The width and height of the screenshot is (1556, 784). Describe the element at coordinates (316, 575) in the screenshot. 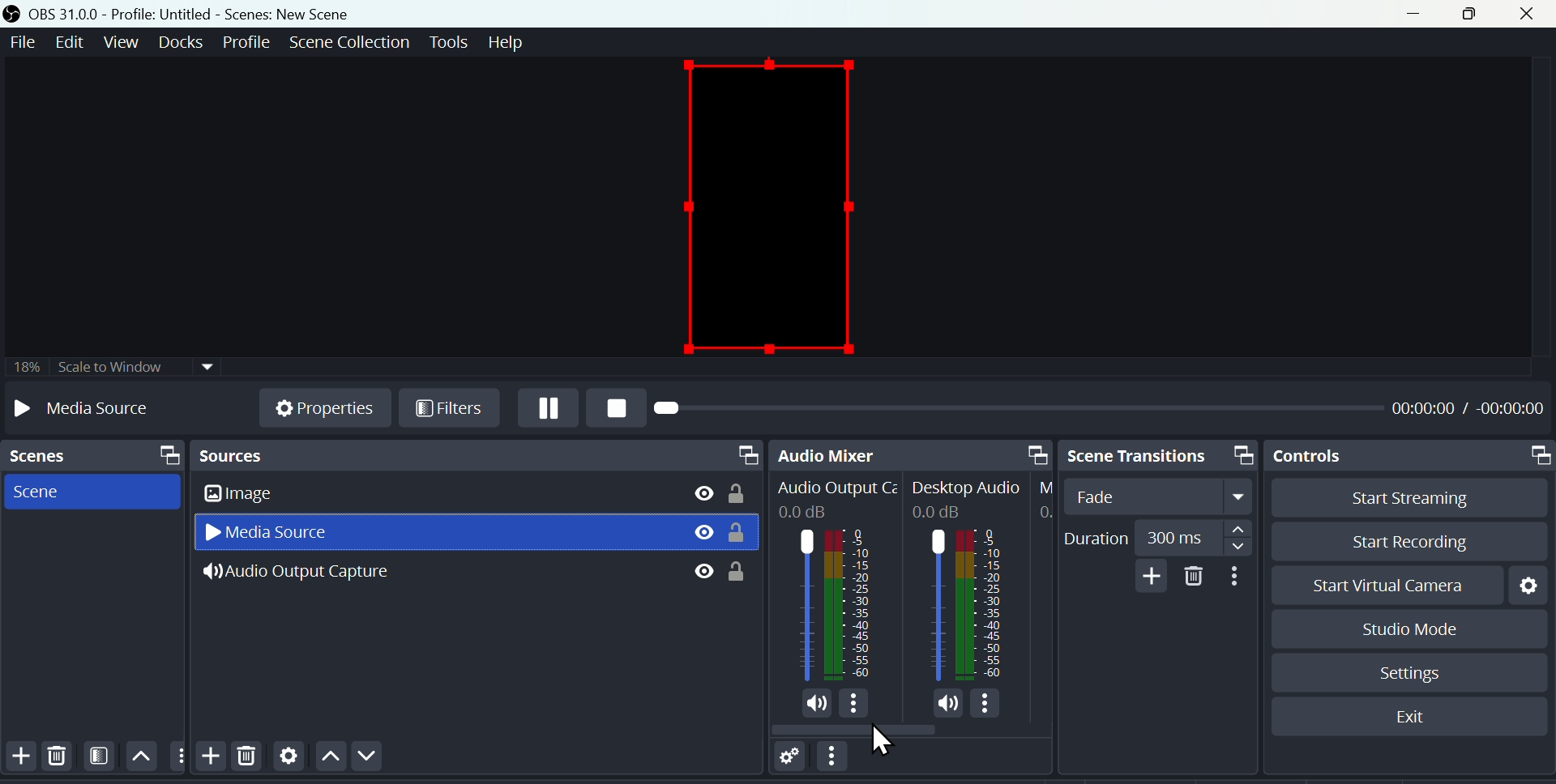

I see `Audio output capture` at that location.